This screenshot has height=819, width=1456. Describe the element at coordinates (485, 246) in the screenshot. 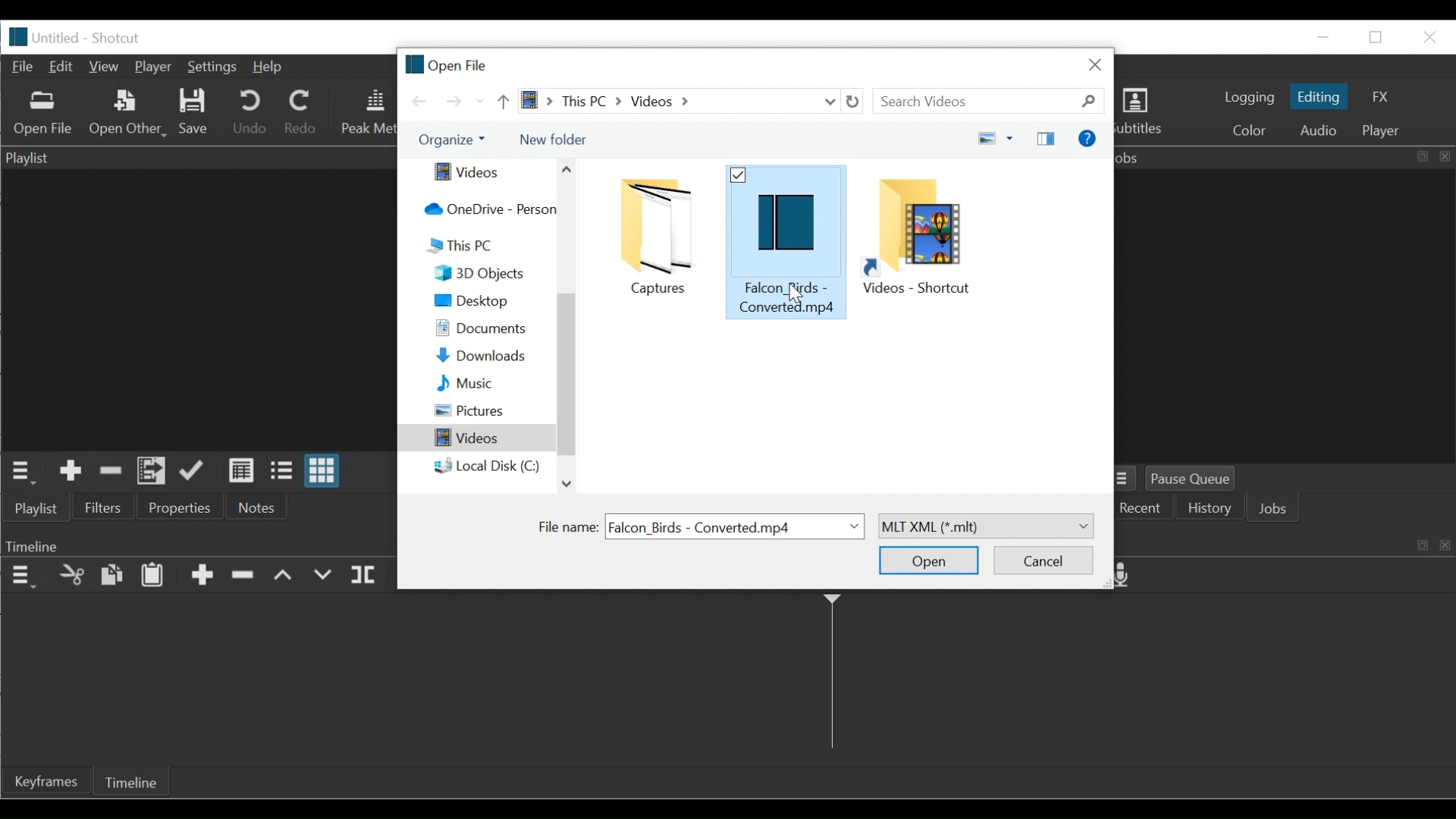

I see `This PC` at that location.